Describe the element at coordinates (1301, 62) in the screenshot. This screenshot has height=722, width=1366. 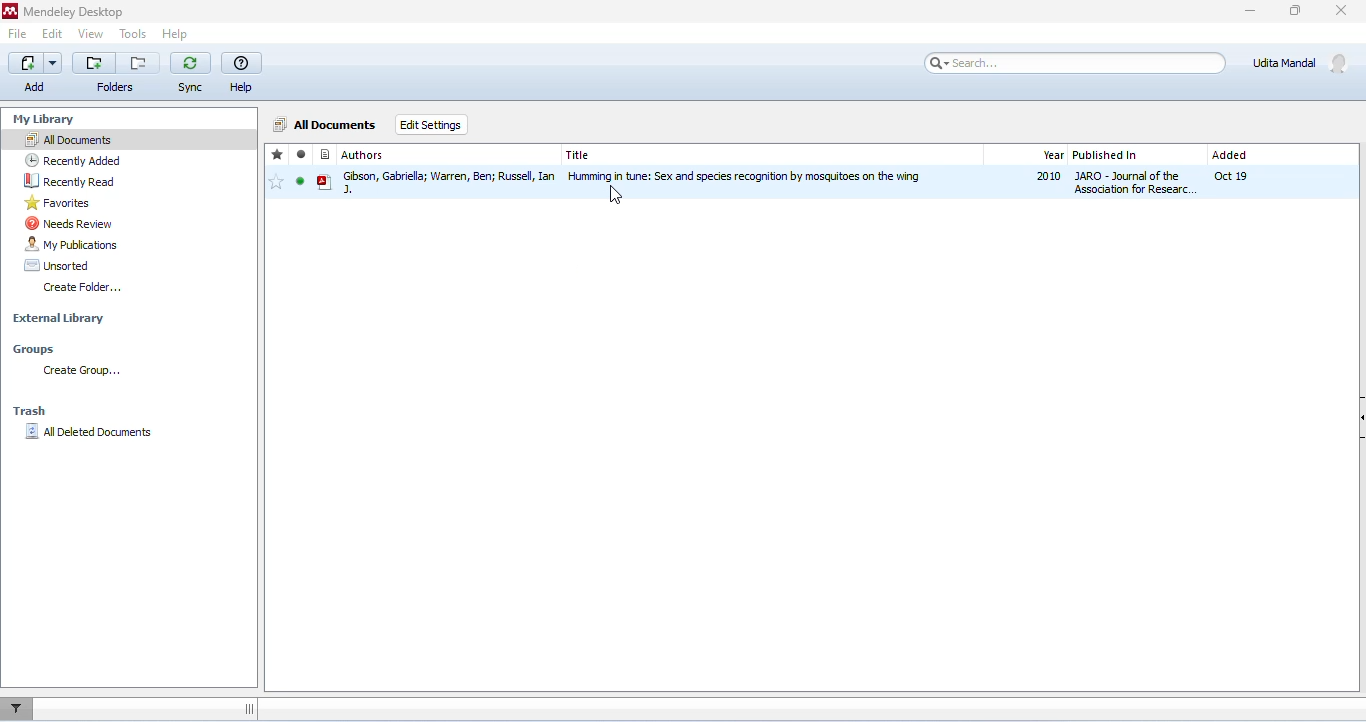
I see `account` at that location.